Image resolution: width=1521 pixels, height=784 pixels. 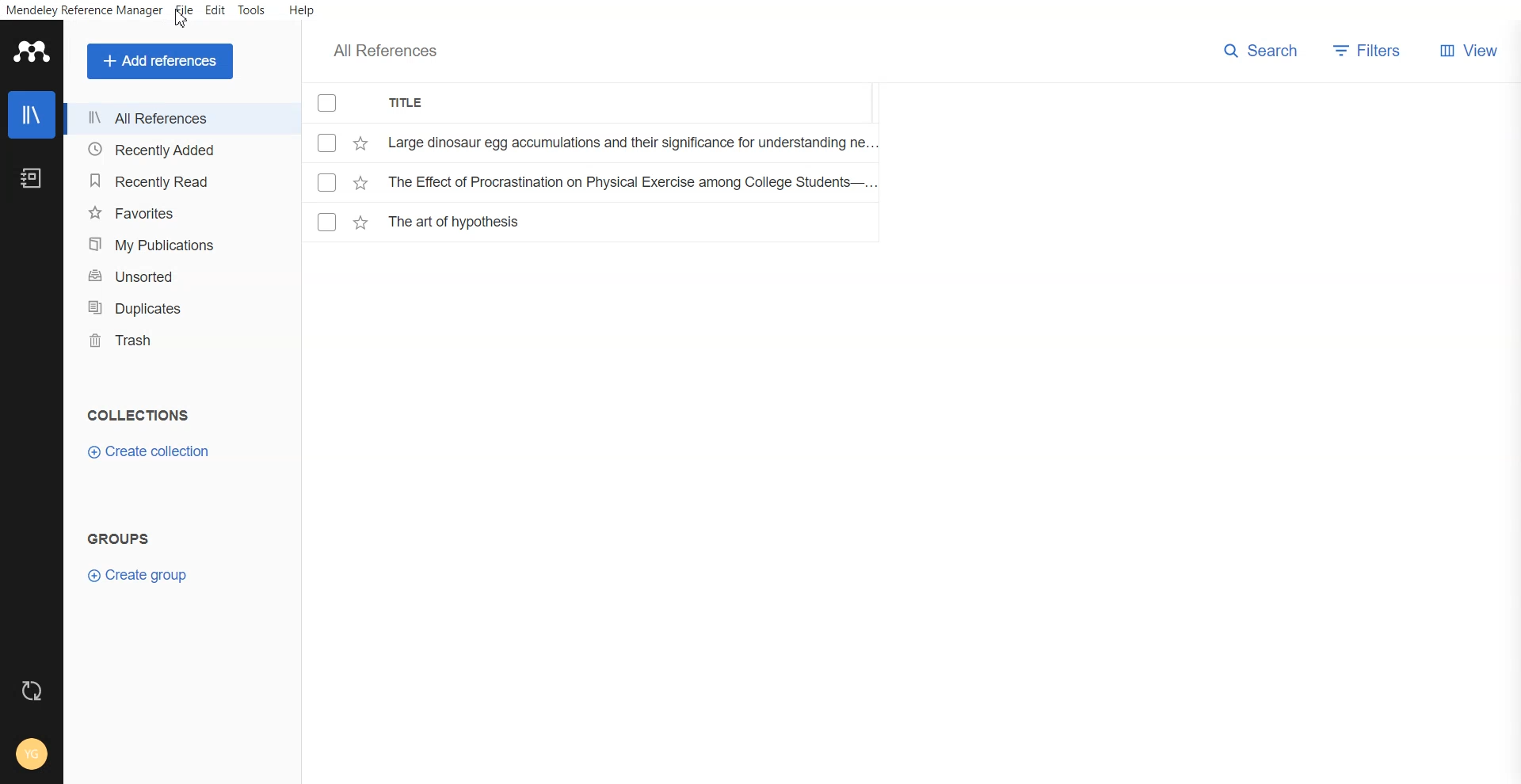 I want to click on My Publication, so click(x=170, y=244).